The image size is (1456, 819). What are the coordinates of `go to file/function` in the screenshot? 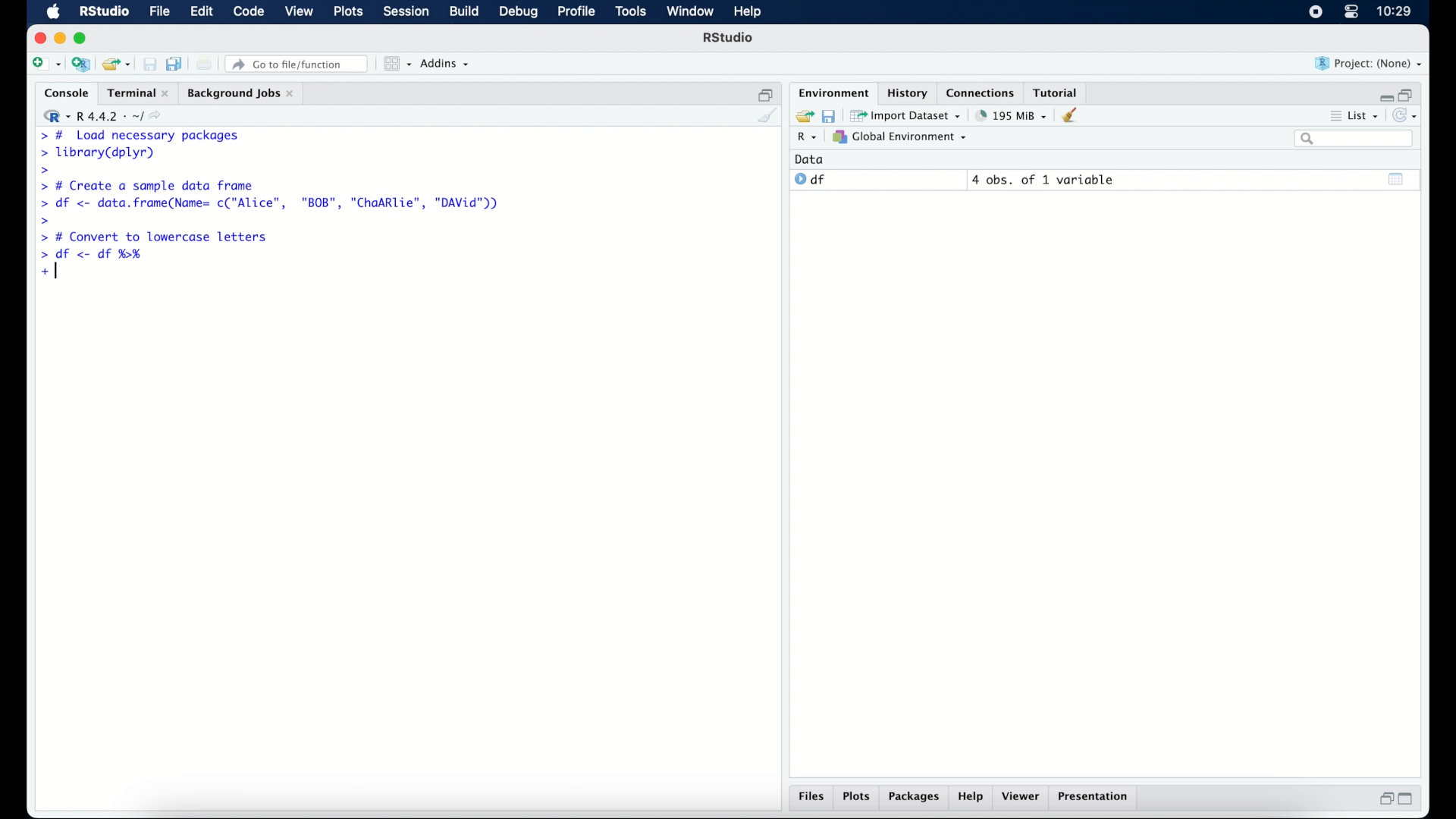 It's located at (297, 64).